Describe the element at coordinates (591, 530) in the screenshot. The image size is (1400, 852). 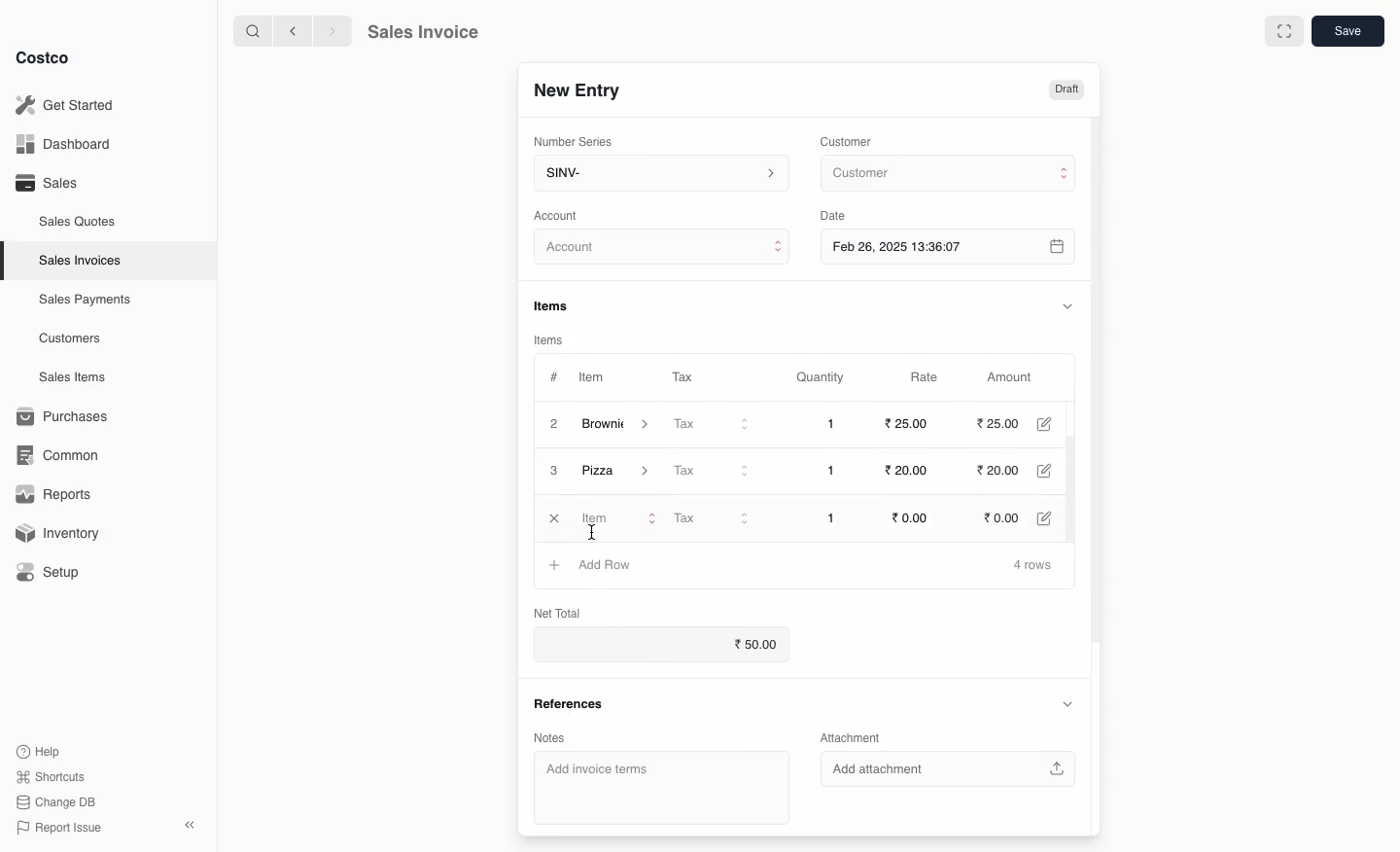
I see `cursor` at that location.